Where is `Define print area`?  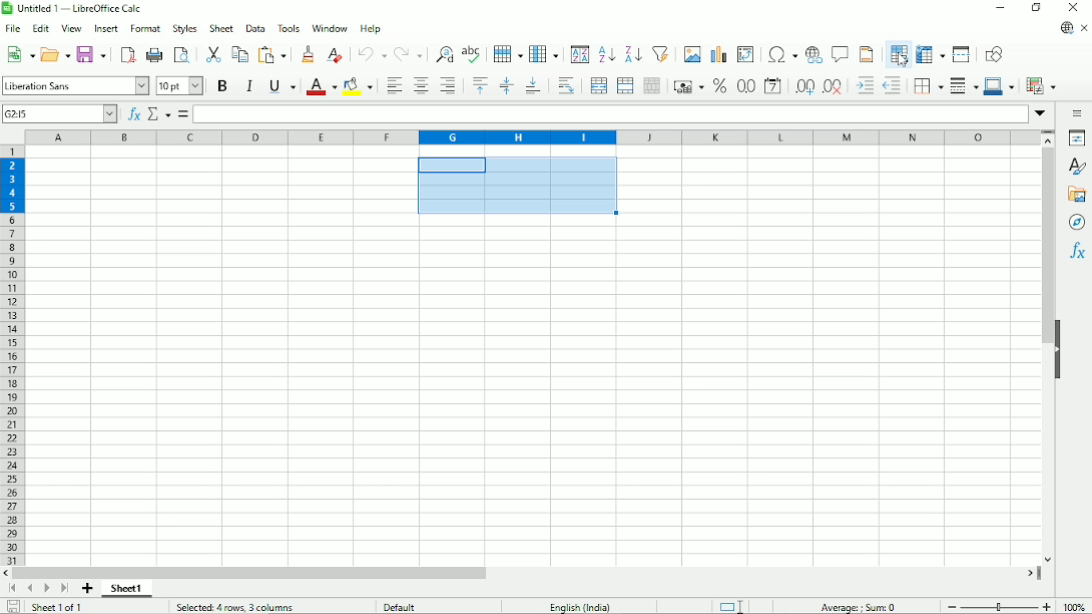 Define print area is located at coordinates (898, 53).